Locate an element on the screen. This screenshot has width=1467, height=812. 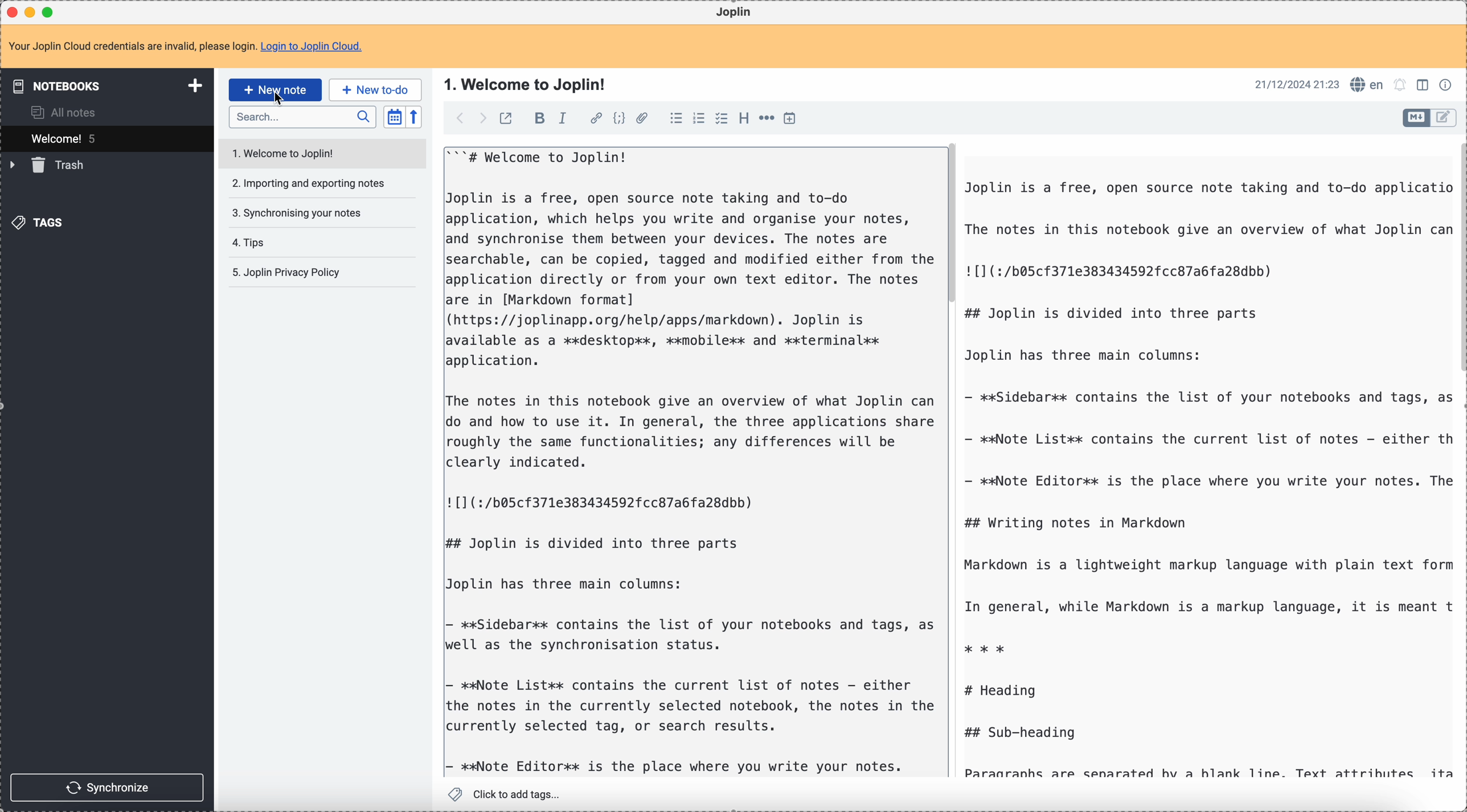
close Joplin is located at coordinates (11, 12).